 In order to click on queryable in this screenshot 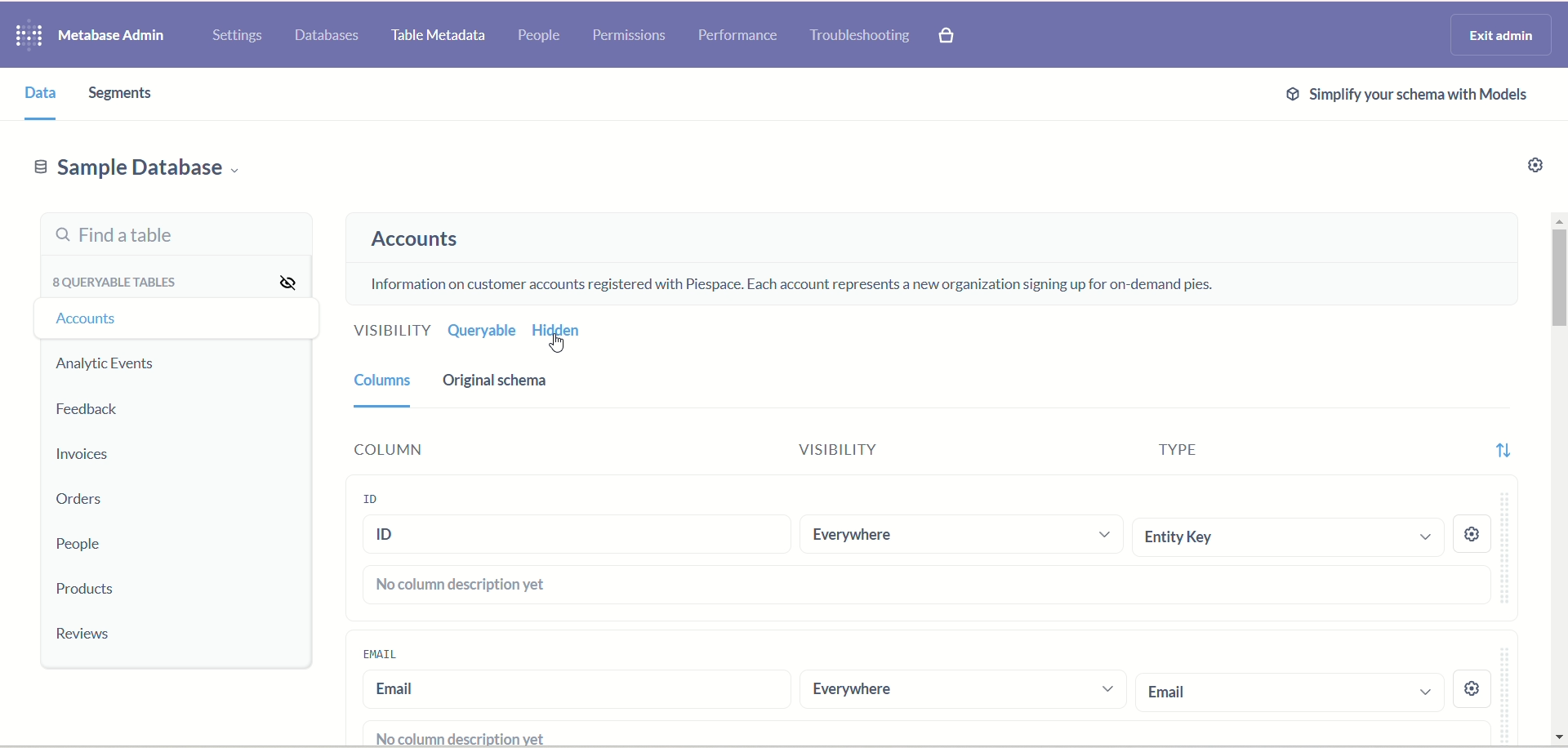, I will do `click(482, 333)`.